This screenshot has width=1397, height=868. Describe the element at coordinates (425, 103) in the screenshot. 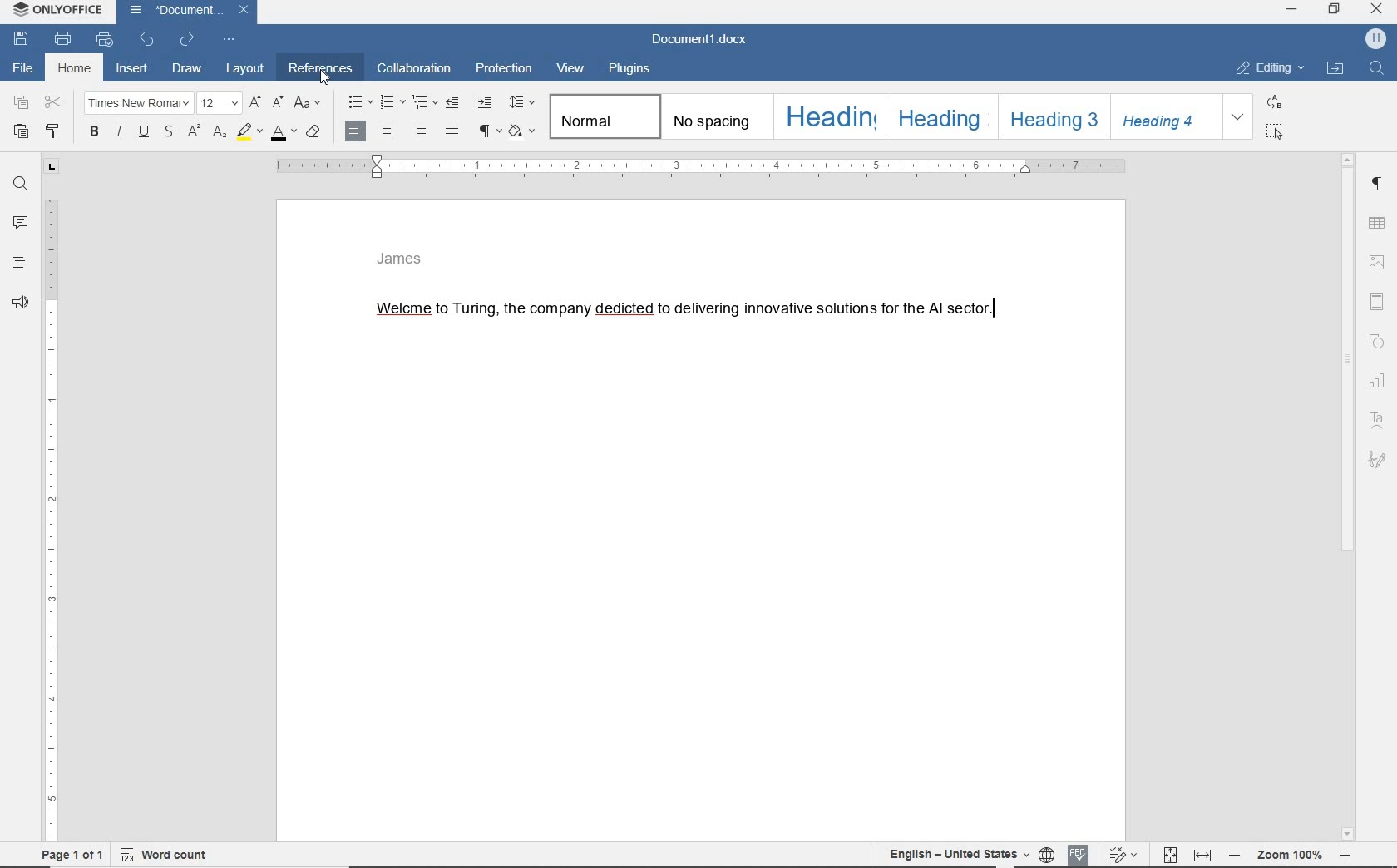

I see `multilevel list` at that location.